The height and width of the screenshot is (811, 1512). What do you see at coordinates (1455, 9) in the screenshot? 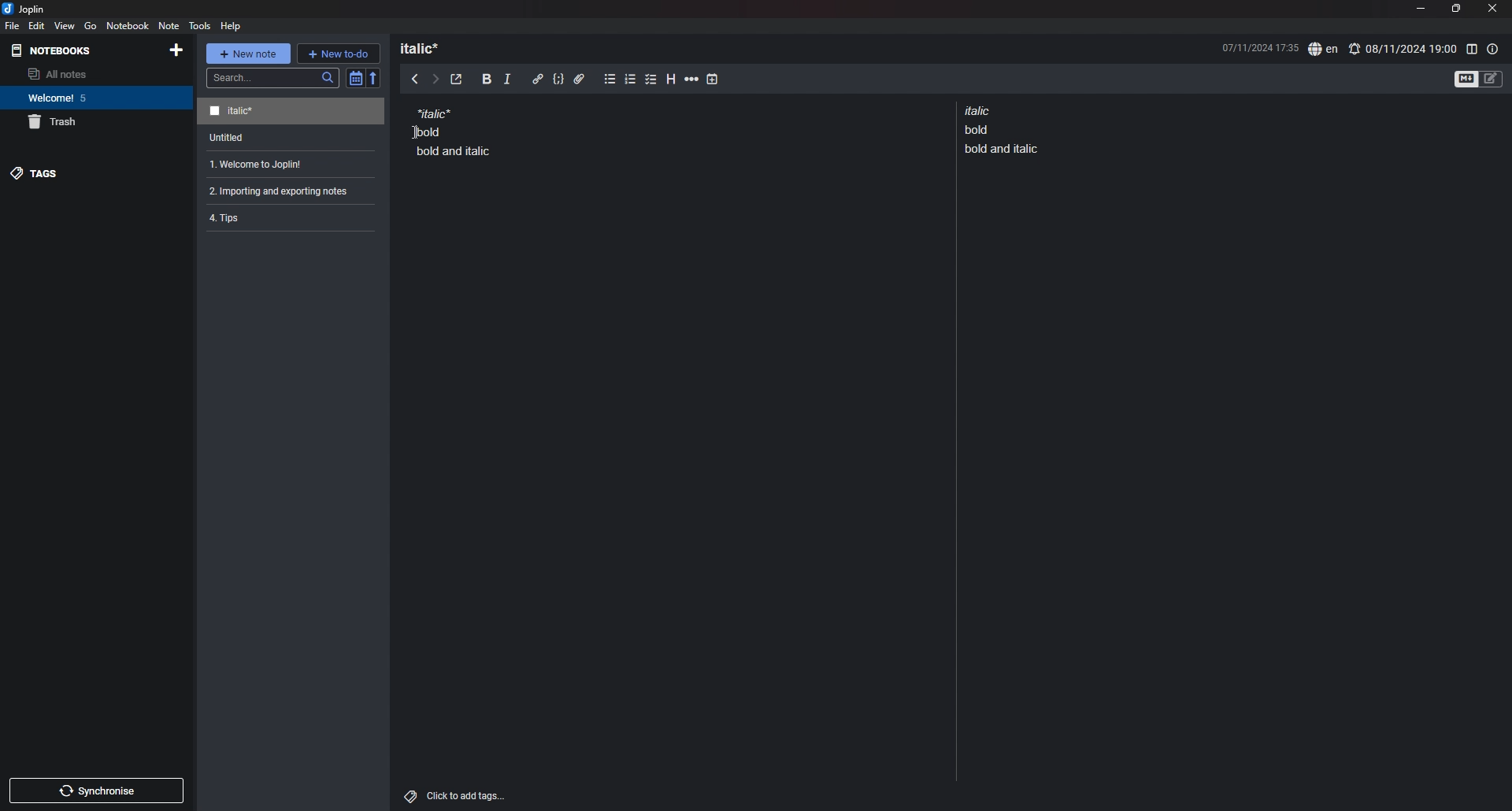
I see `resize` at bounding box center [1455, 9].